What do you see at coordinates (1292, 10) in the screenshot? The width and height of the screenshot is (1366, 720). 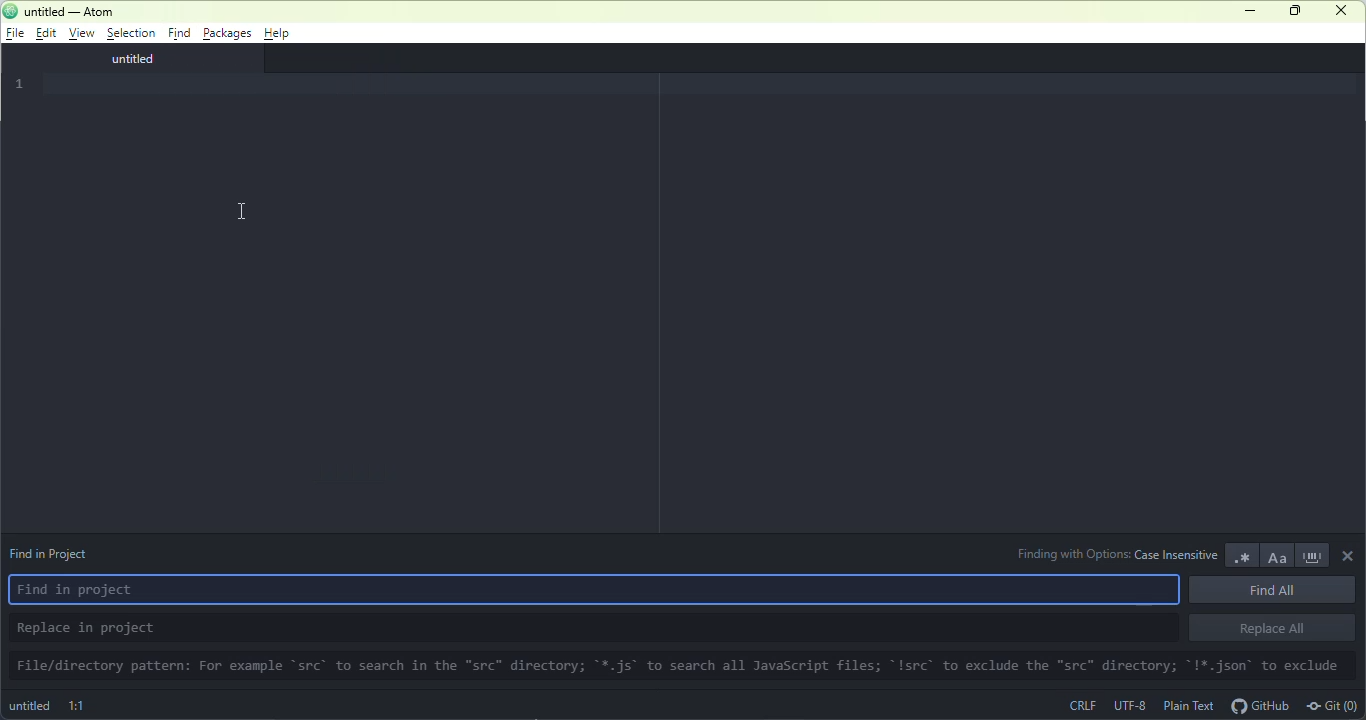 I see `maximize` at bounding box center [1292, 10].